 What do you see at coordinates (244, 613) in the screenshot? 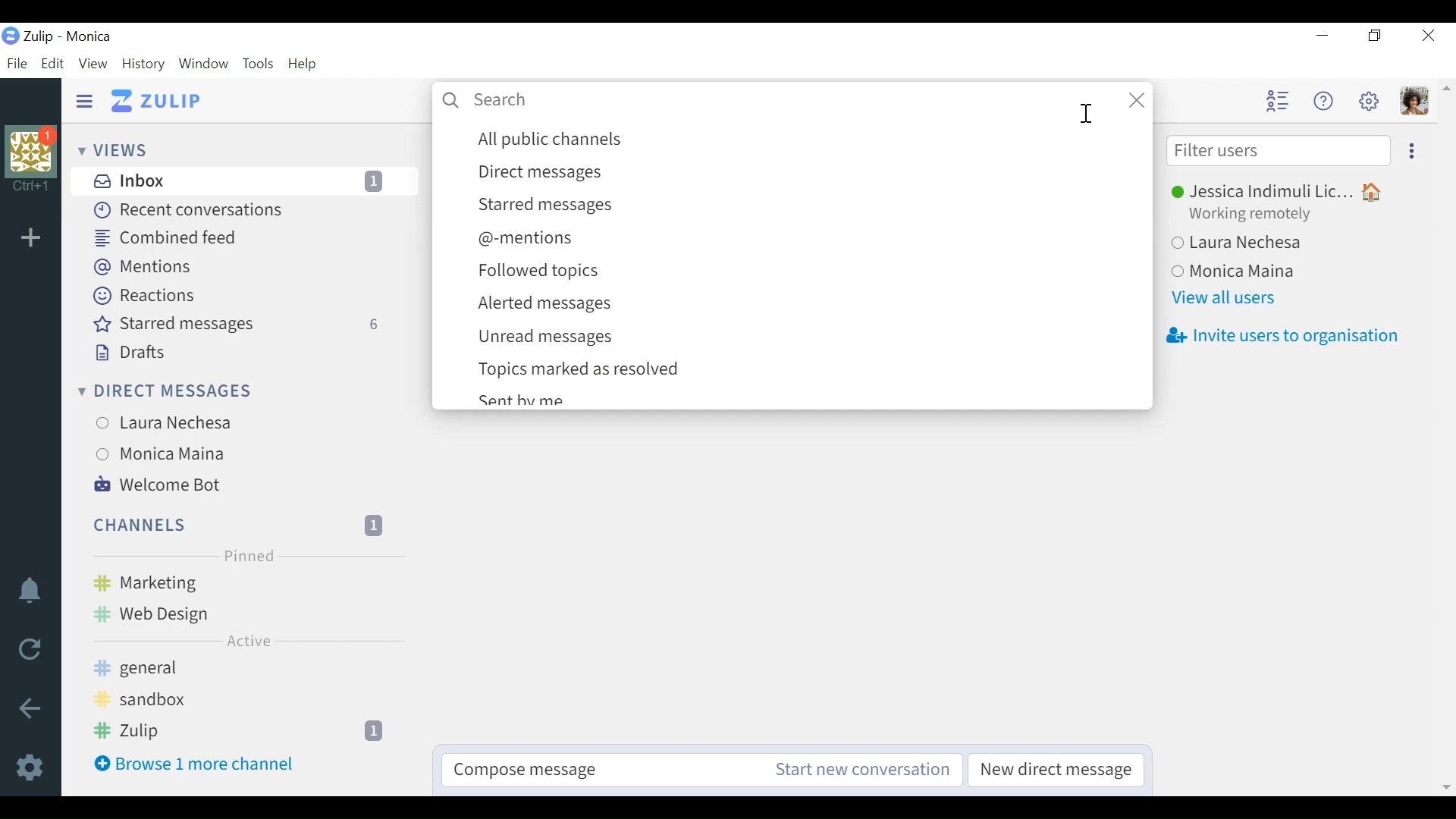
I see `Web Design` at bounding box center [244, 613].